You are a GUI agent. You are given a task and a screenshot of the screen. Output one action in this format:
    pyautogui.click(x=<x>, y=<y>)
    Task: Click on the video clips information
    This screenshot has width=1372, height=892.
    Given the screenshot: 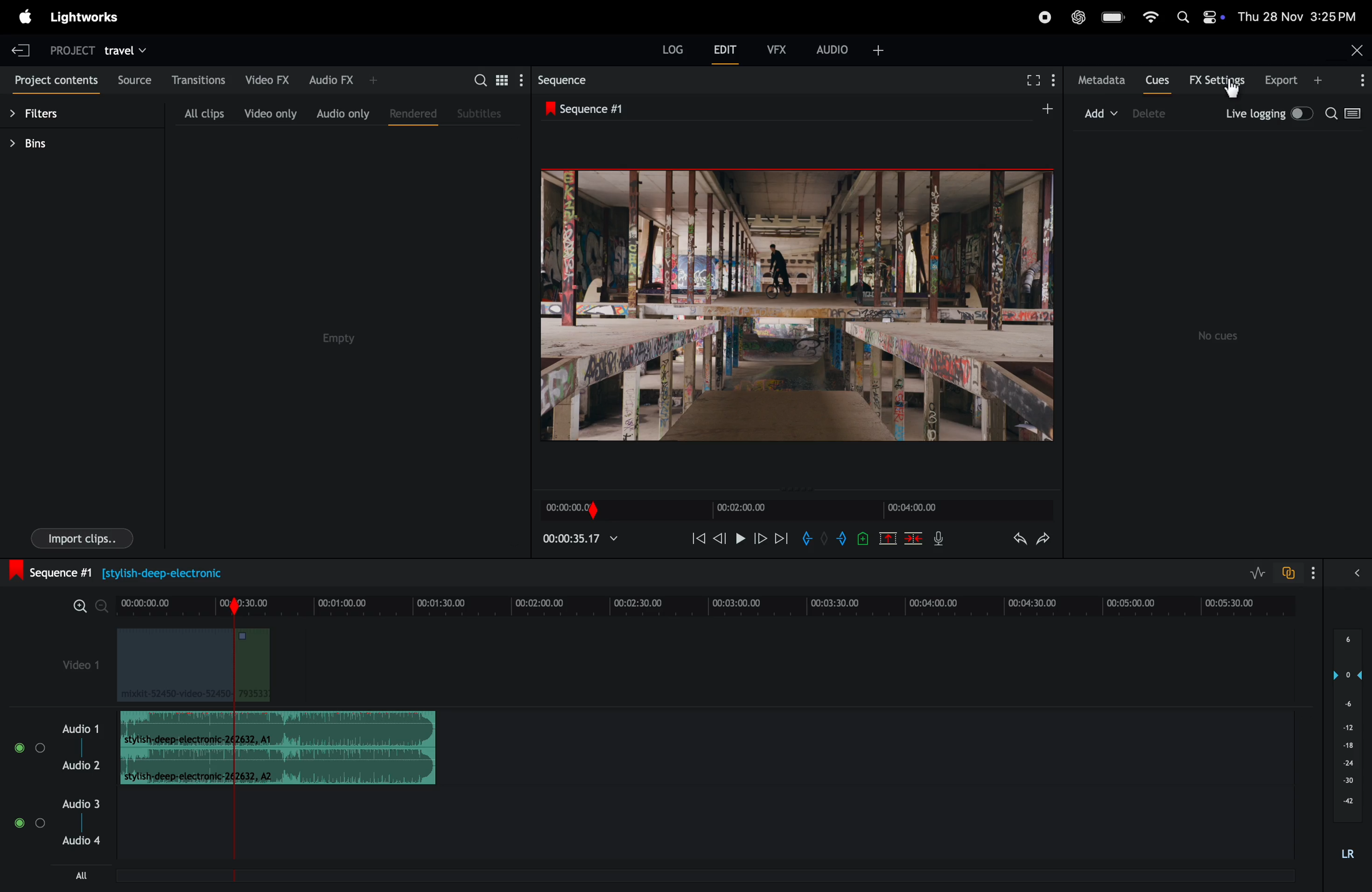 What is the action you would take?
    pyautogui.click(x=197, y=668)
    